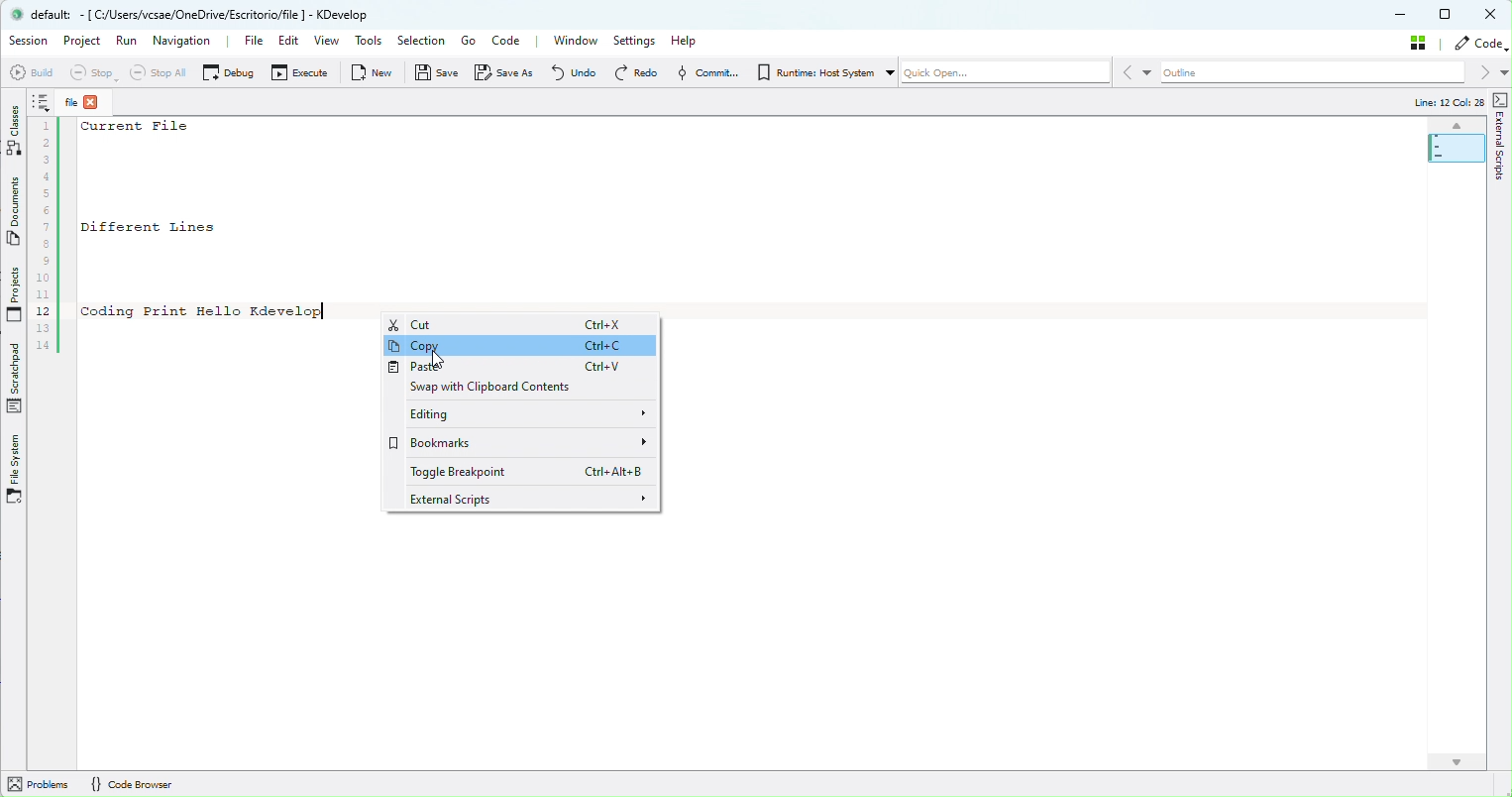 Image resolution: width=1512 pixels, height=797 pixels. What do you see at coordinates (823, 72) in the screenshot?
I see `Runtime` at bounding box center [823, 72].